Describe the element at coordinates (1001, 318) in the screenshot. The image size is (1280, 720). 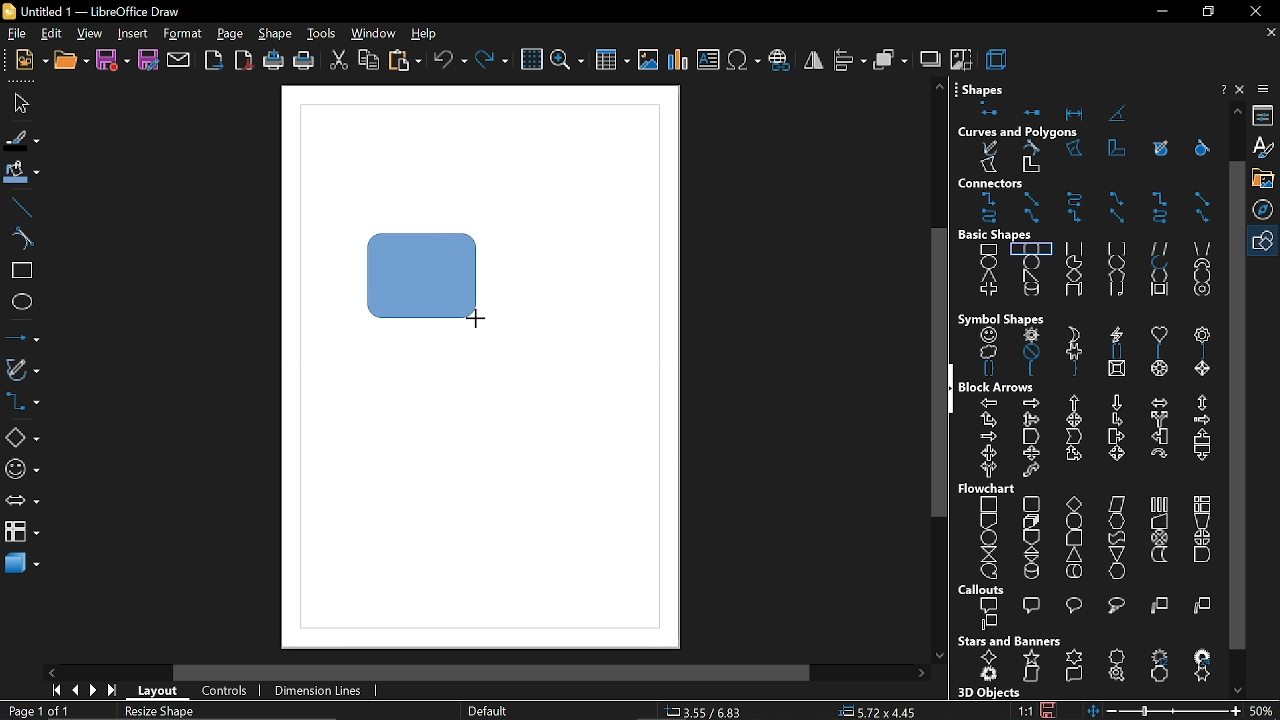
I see `symbol shapes` at that location.